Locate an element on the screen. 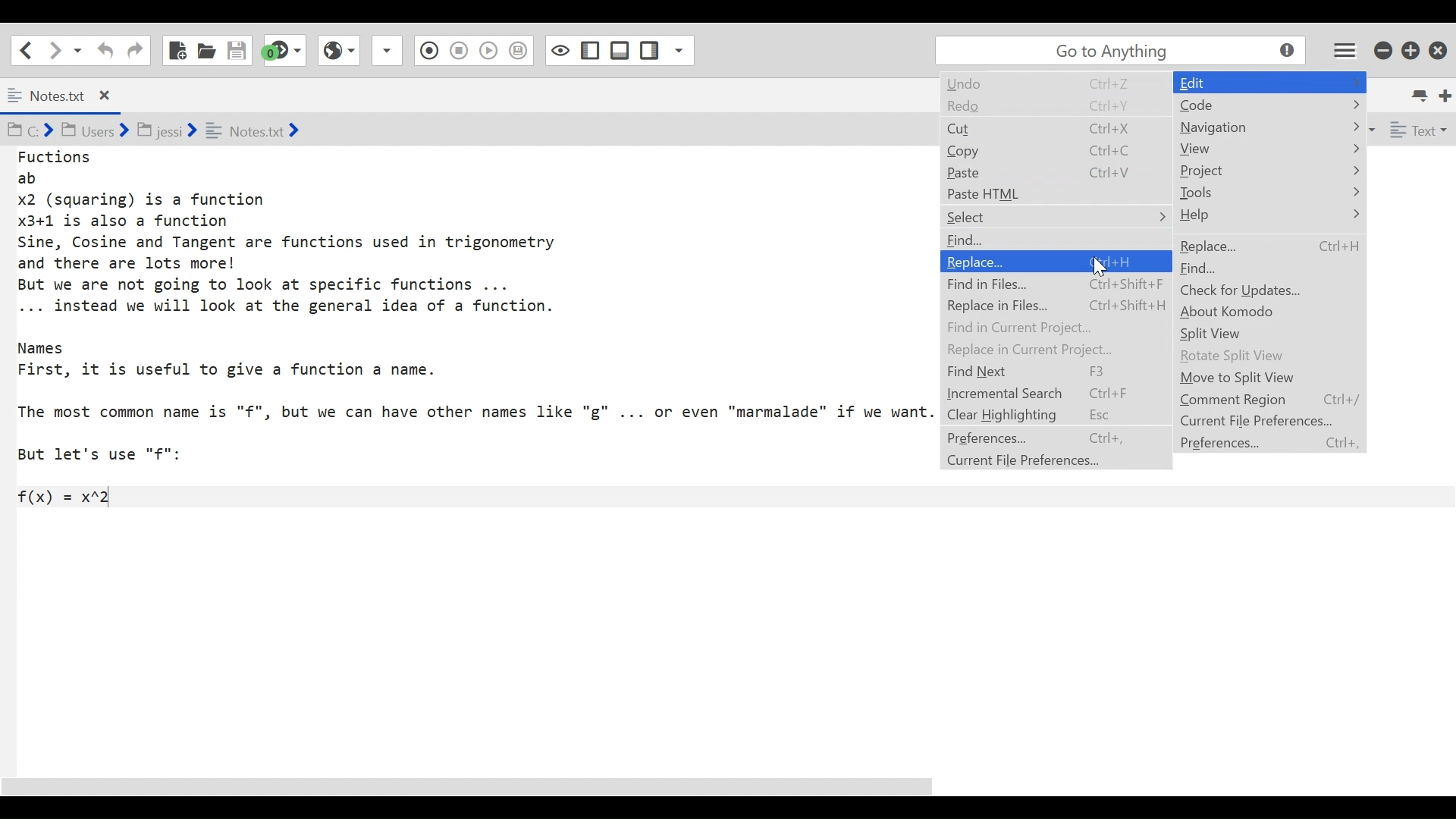 This screenshot has width=1456, height=819. Project is located at coordinates (1212, 168).